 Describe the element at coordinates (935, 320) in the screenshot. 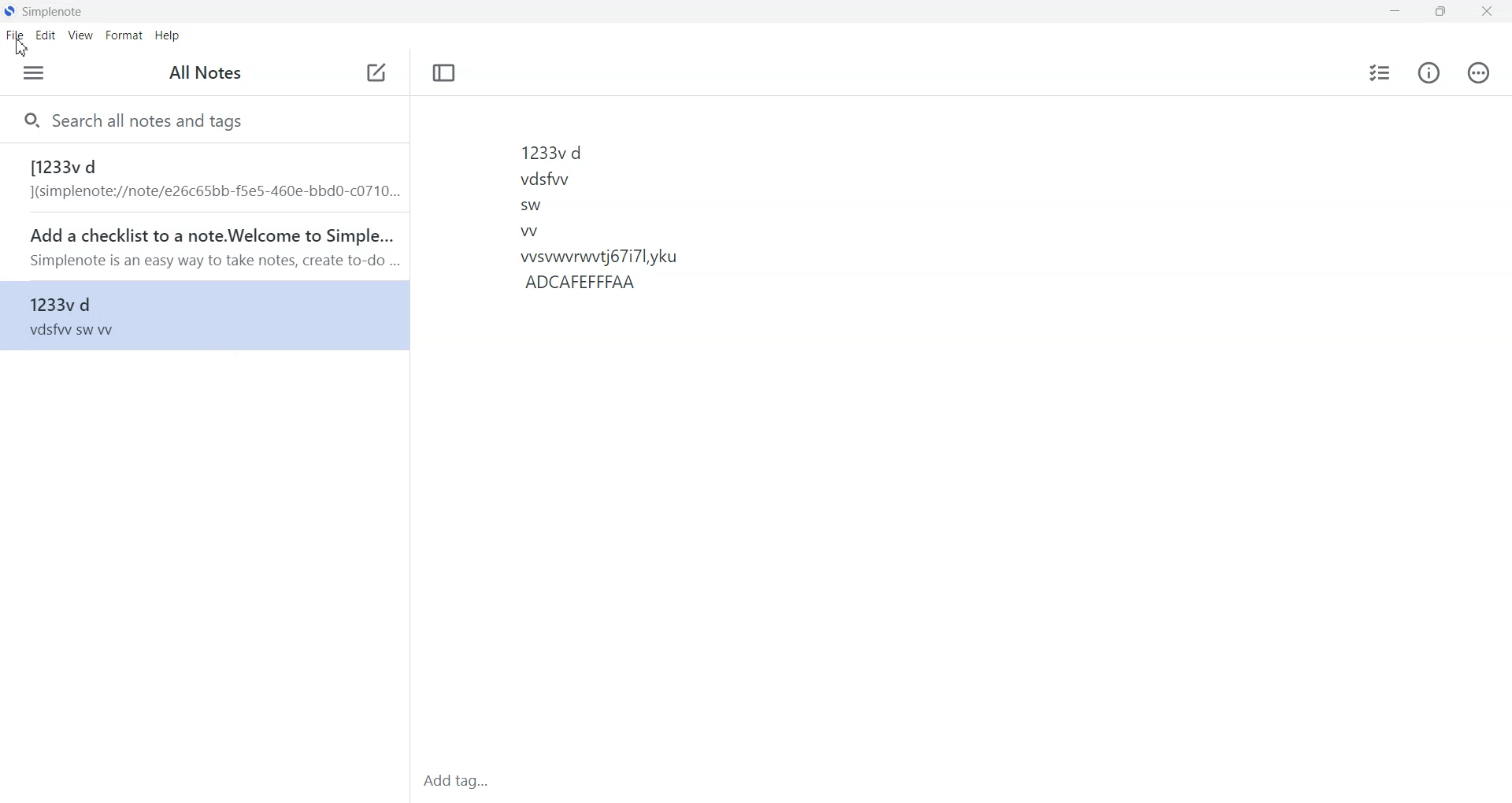

I see `1233 d vddw sw W wswwwtj6717lyku ADCAFEFFFAA` at that location.